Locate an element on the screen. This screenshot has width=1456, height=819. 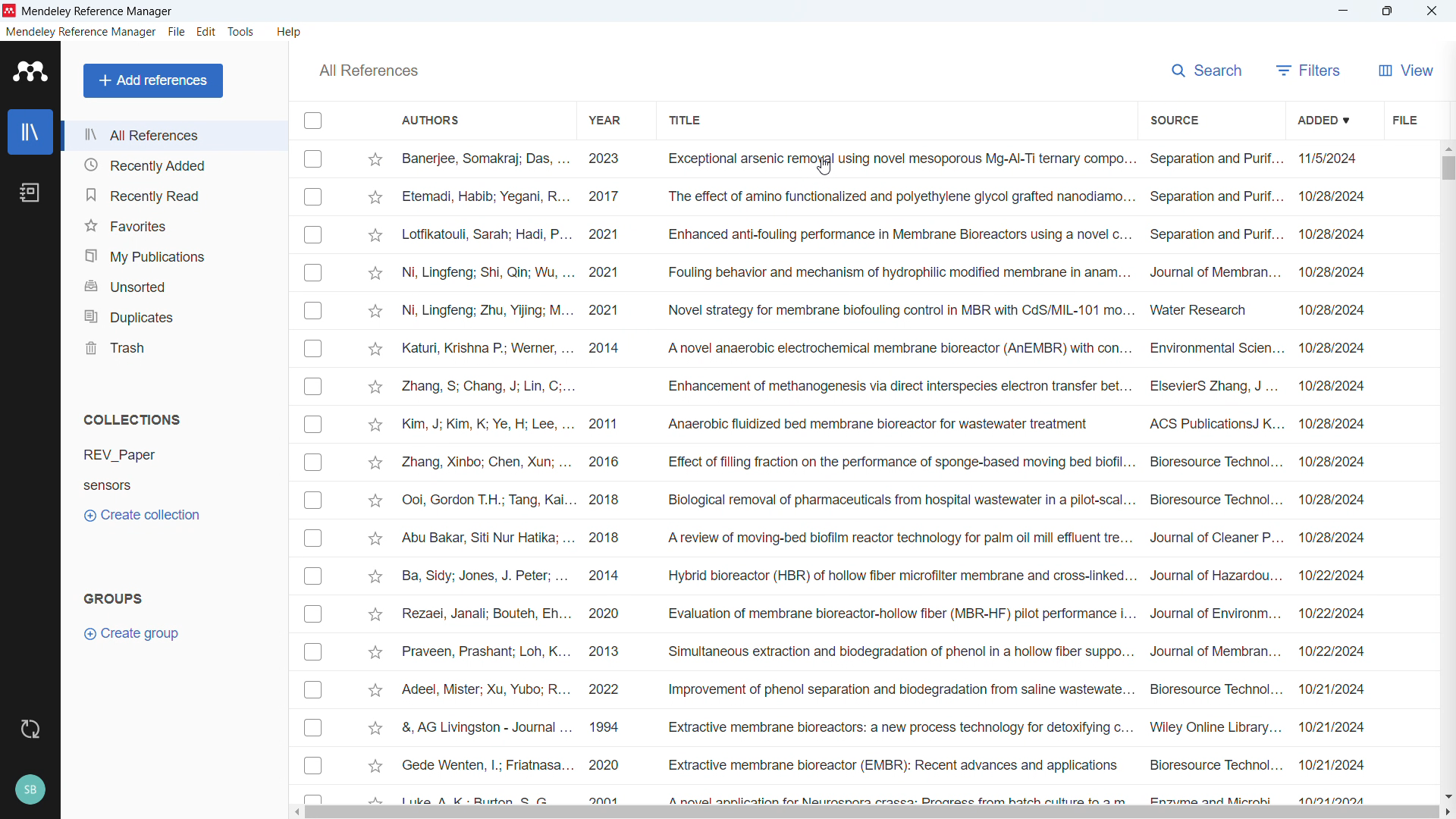
Click to starmark individual entries  is located at coordinates (374, 158).